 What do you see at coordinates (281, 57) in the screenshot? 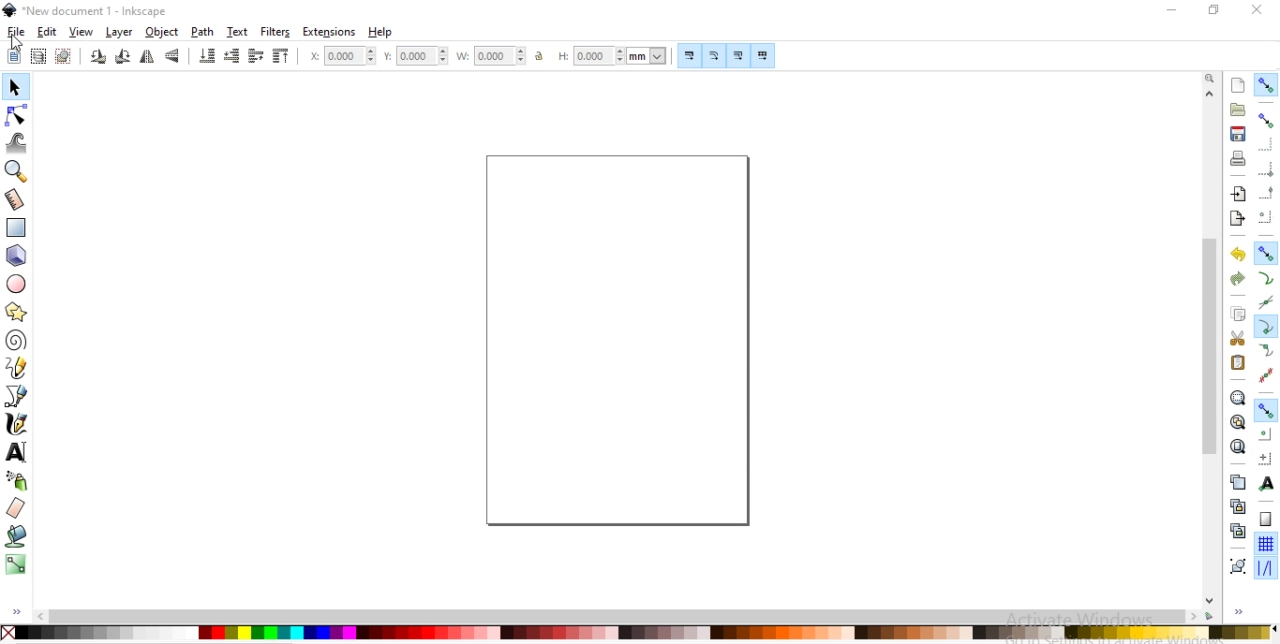
I see `raise selection to top` at bounding box center [281, 57].